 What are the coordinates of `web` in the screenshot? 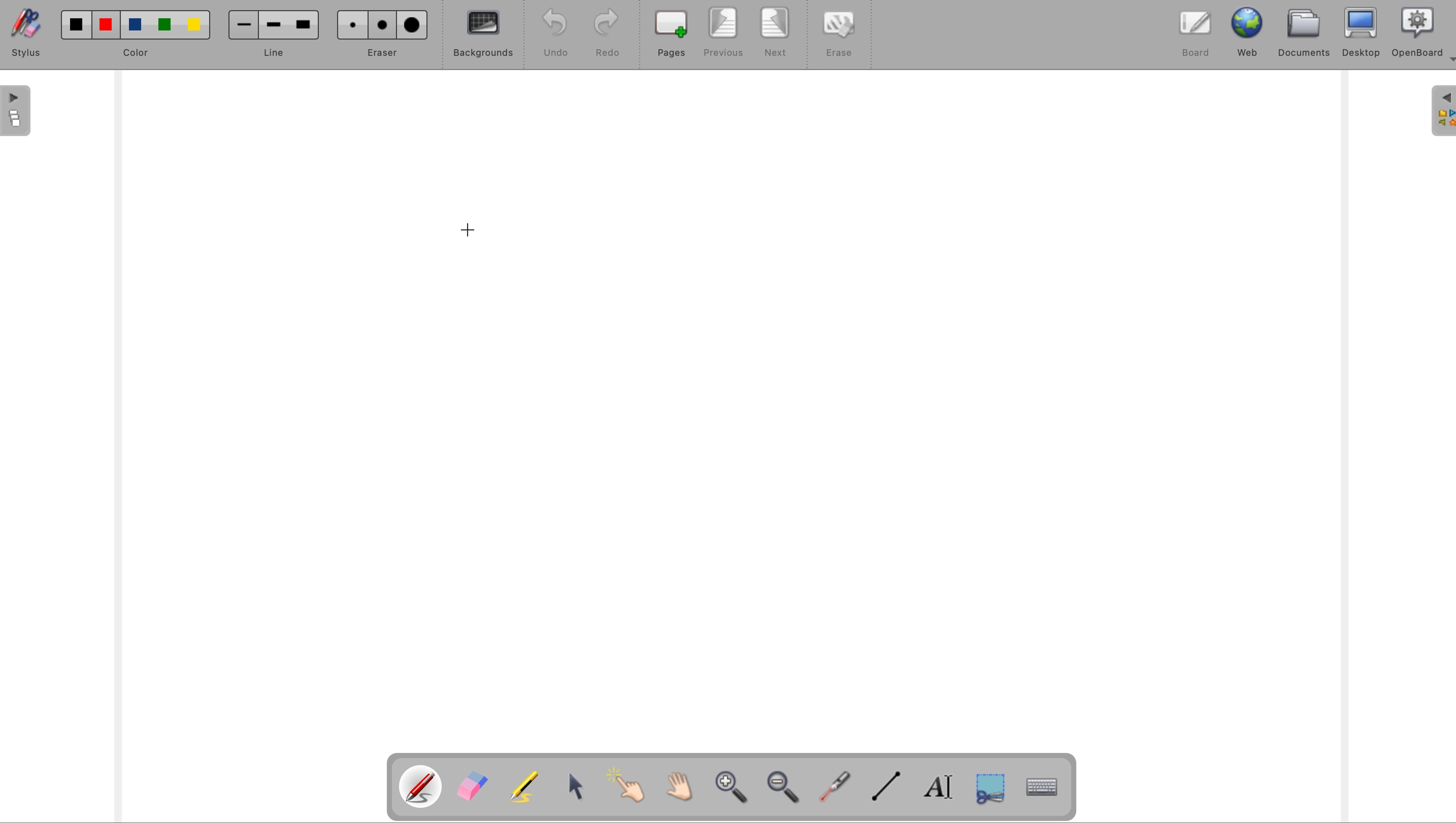 It's located at (1246, 34).